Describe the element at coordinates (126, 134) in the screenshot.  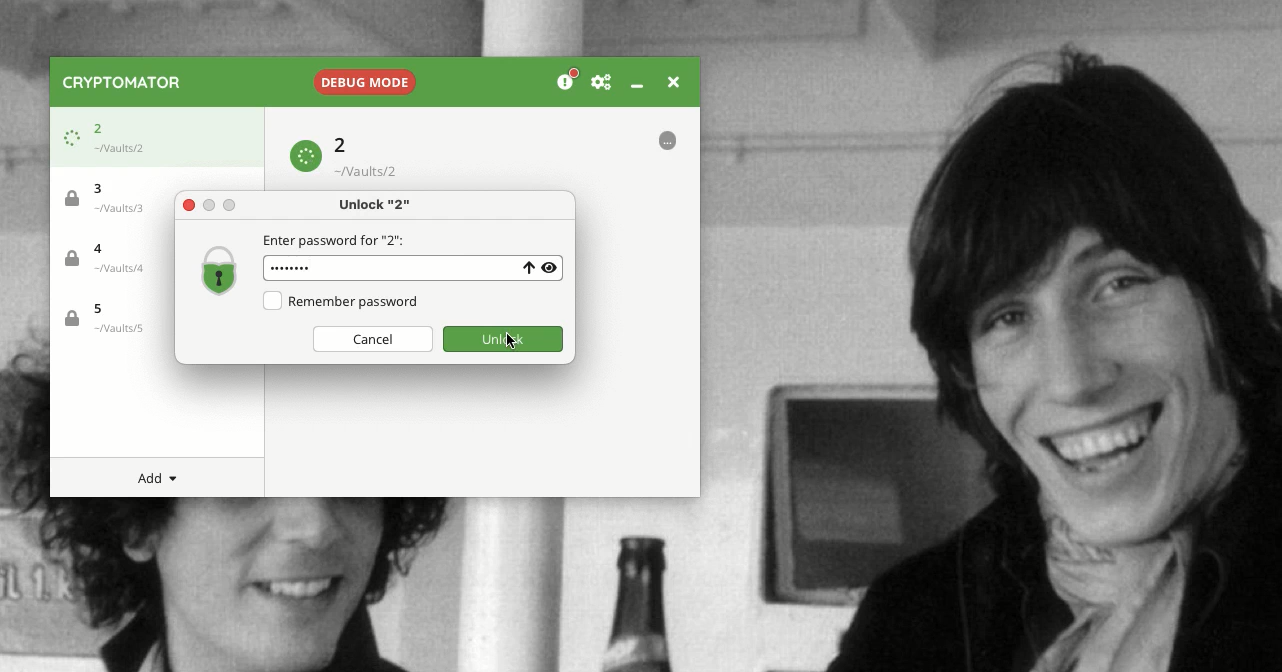
I see `Vault 2` at that location.